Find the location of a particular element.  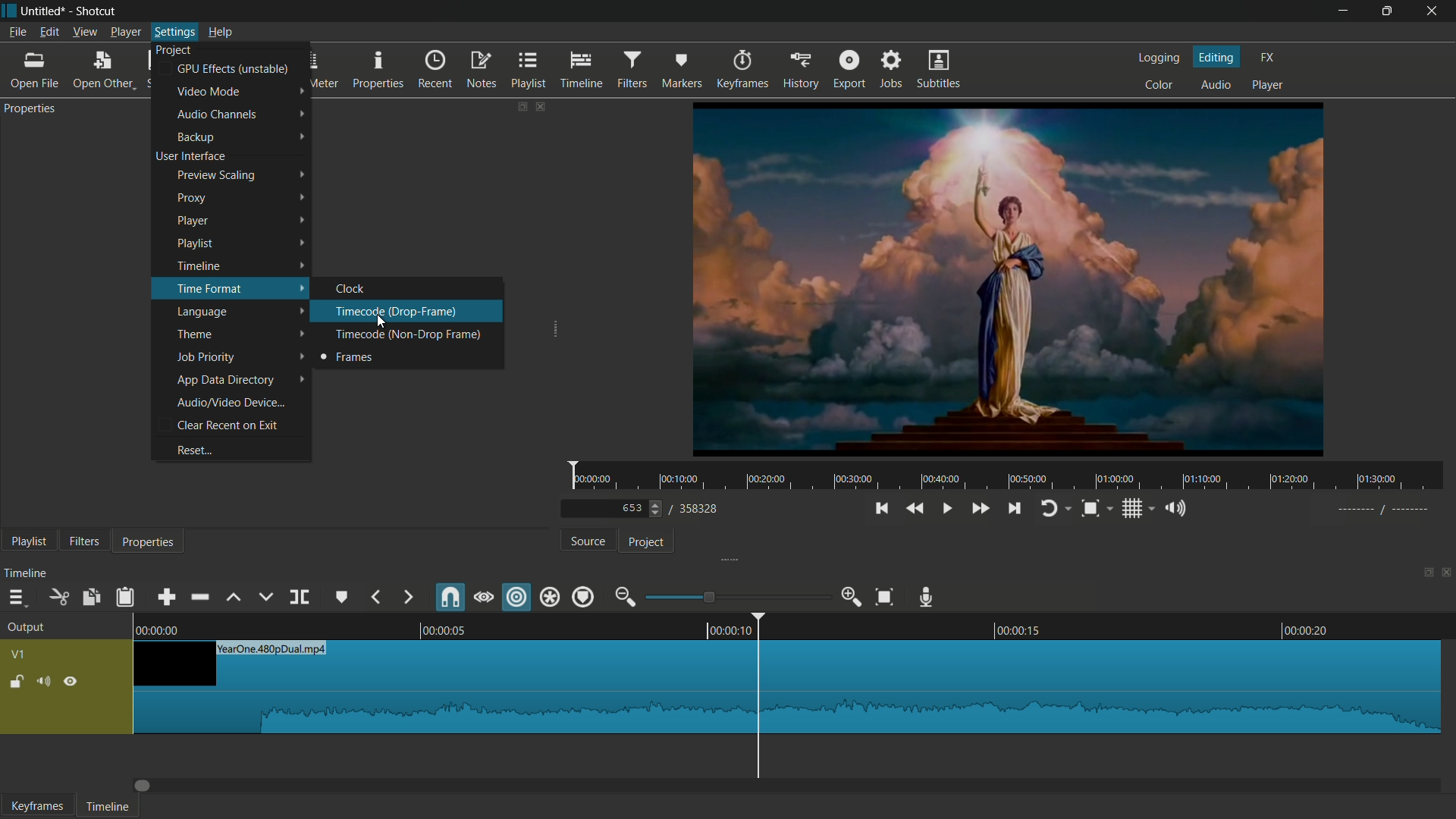

audio channels is located at coordinates (217, 115).